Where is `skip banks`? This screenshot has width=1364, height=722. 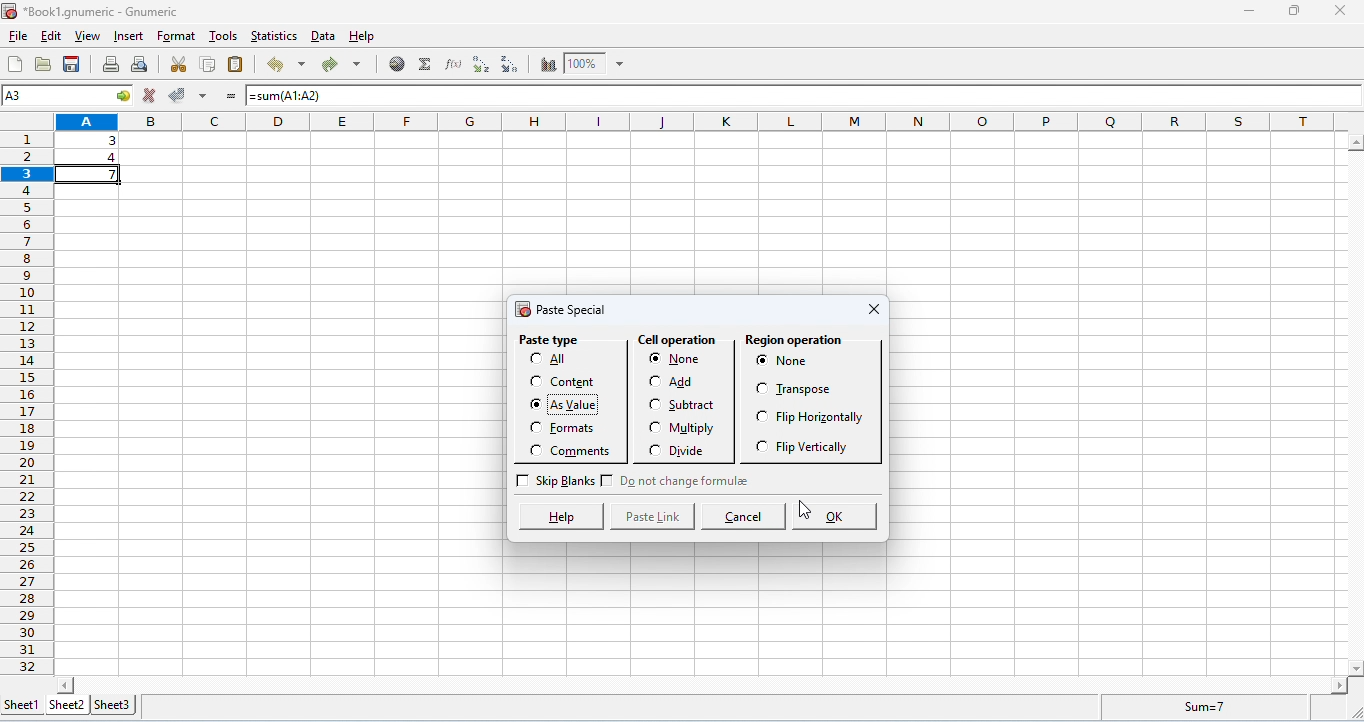 skip banks is located at coordinates (565, 482).